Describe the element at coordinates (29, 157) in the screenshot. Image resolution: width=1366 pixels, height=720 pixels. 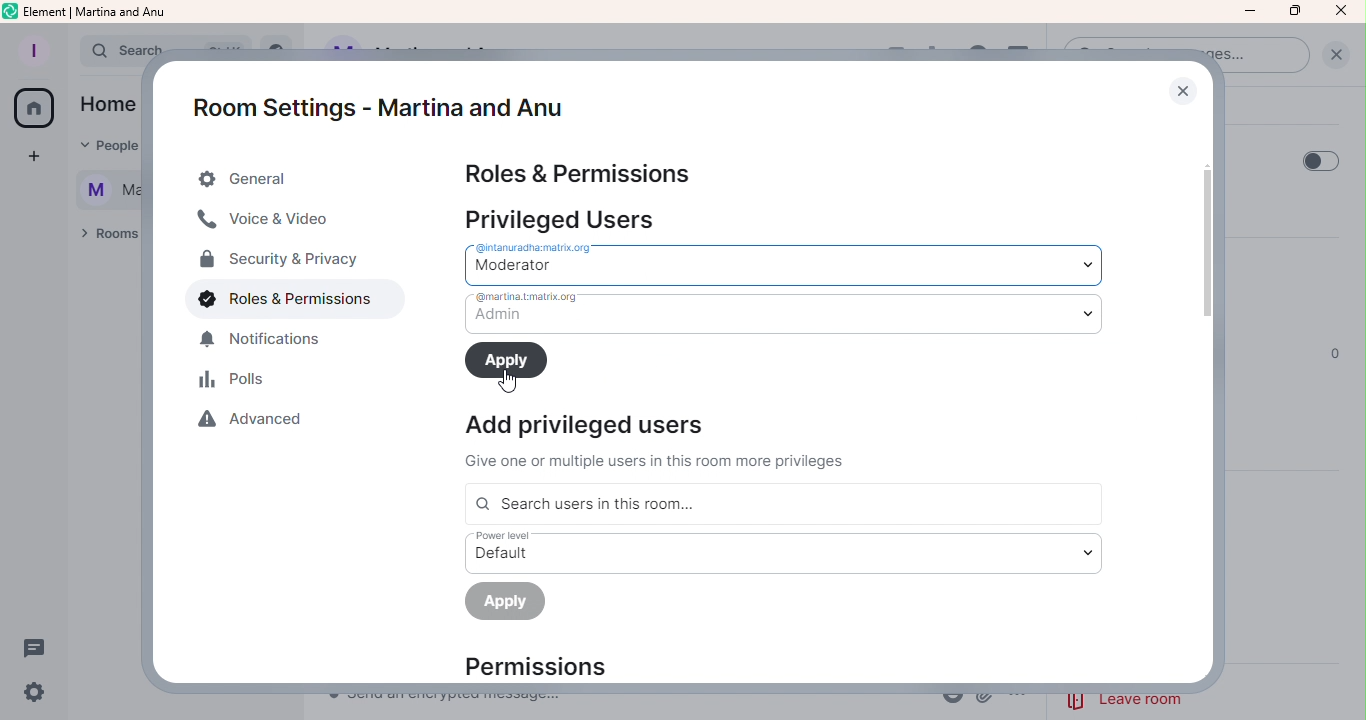
I see `Create a space` at that location.